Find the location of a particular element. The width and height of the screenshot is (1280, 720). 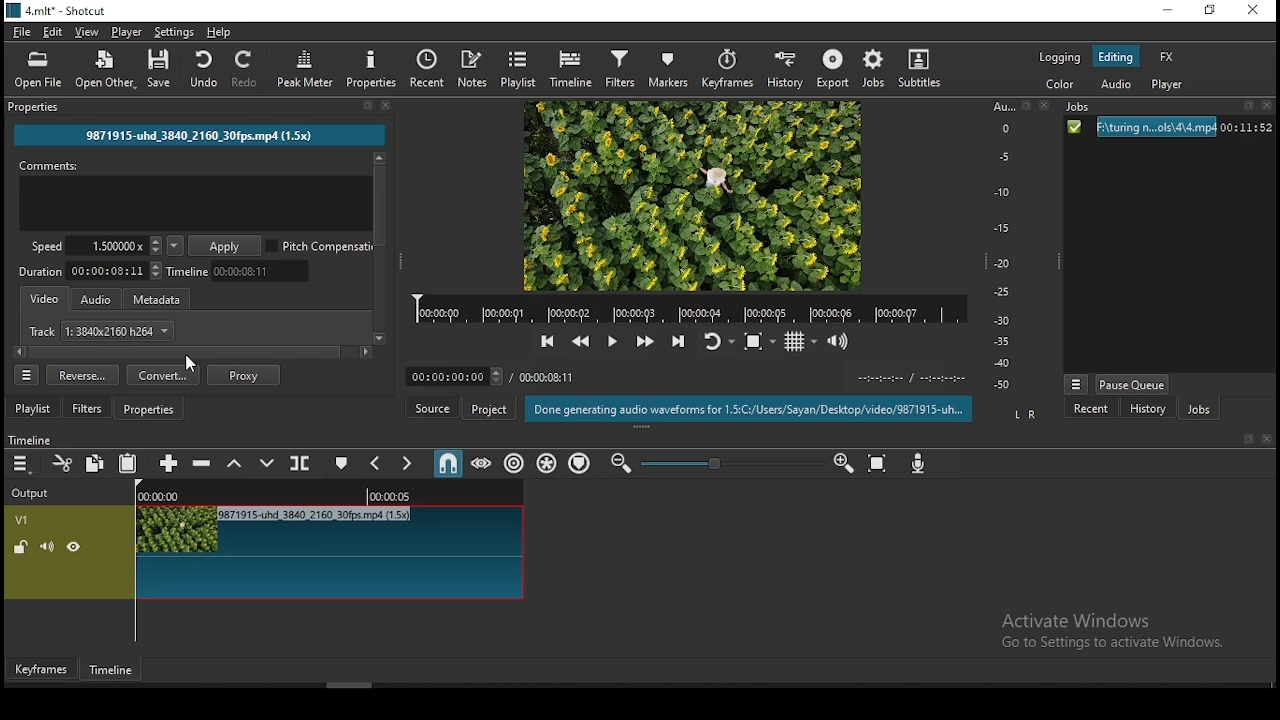

previous marker is located at coordinates (377, 465).